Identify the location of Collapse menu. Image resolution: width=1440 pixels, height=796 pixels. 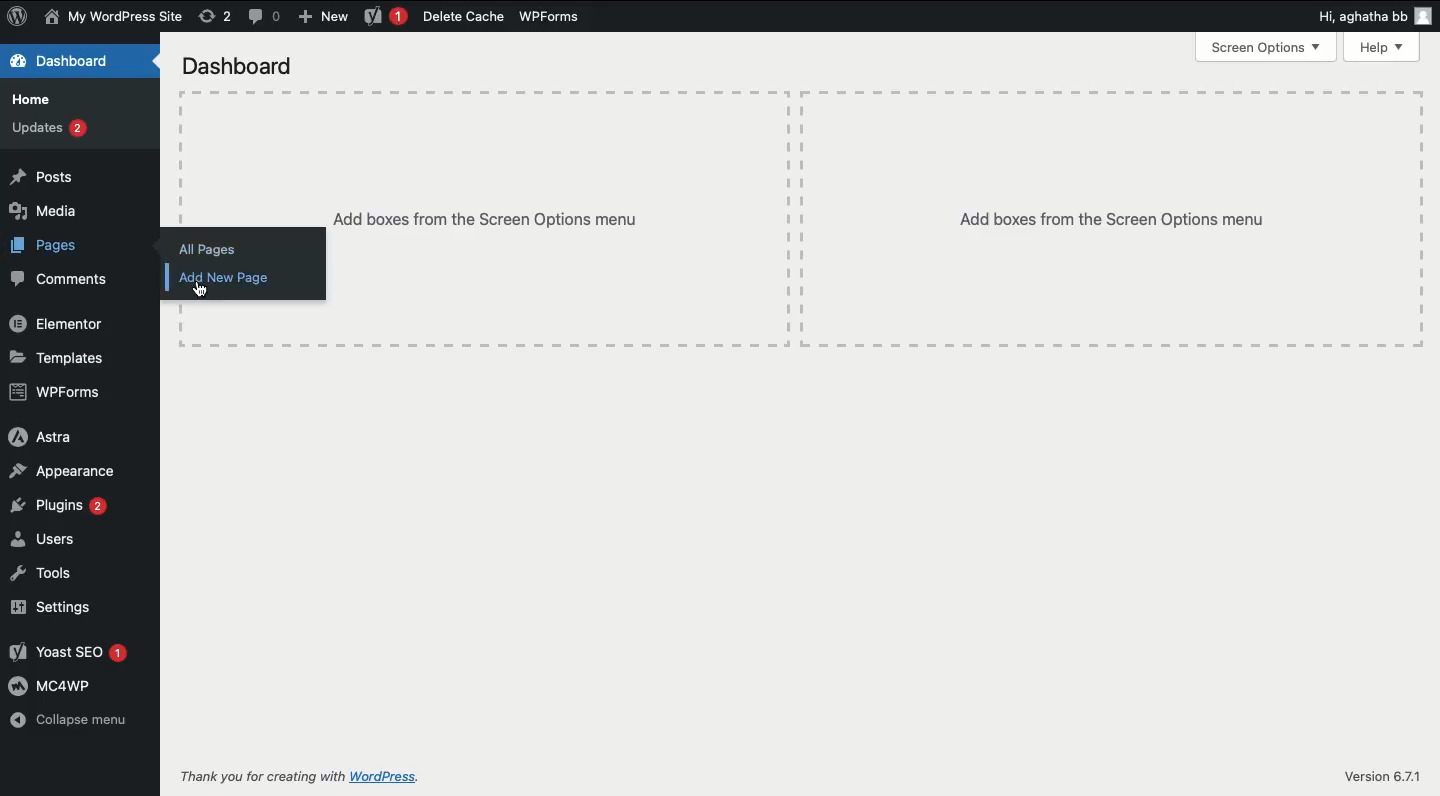
(75, 721).